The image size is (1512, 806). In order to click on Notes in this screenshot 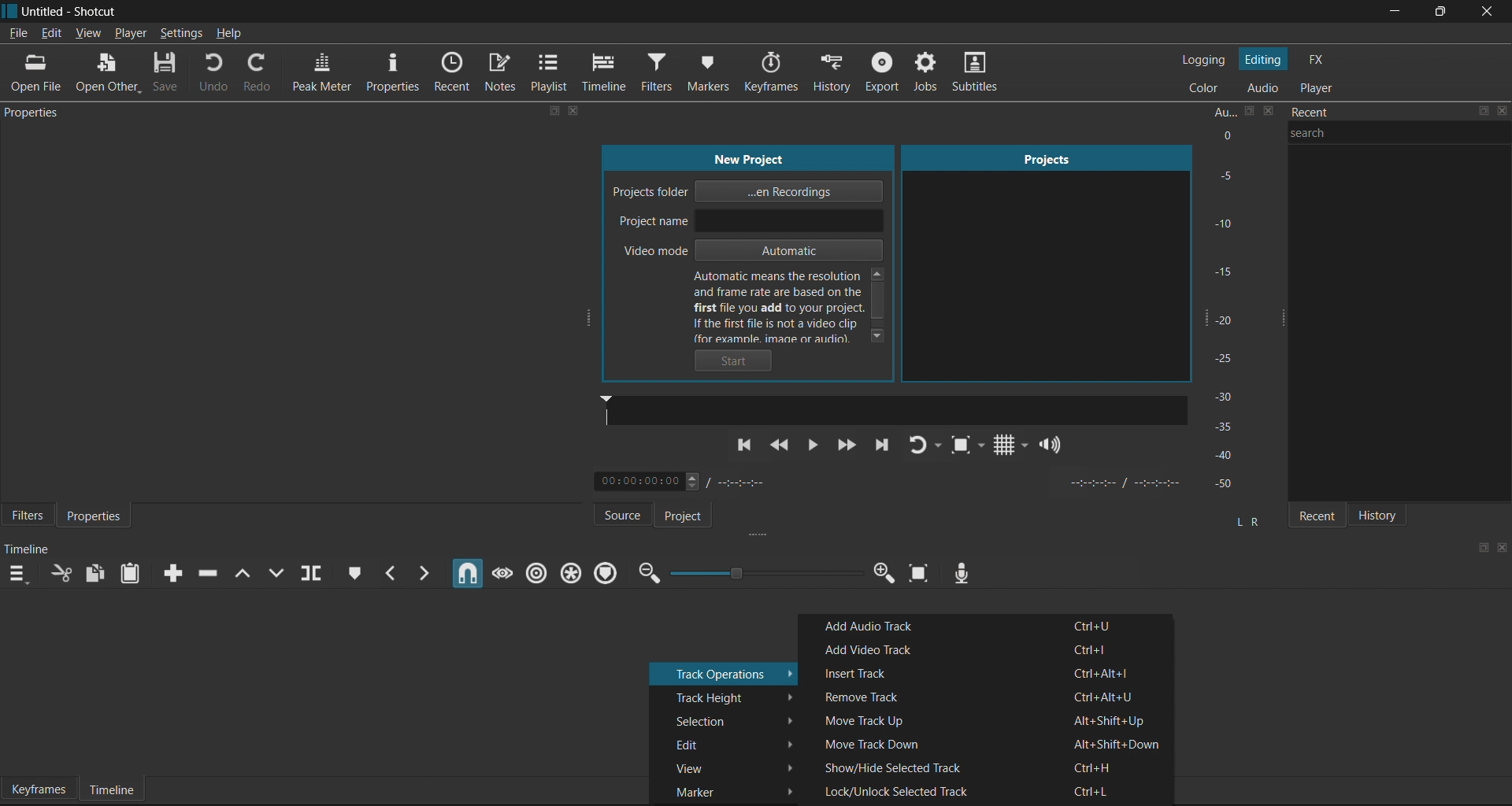, I will do `click(502, 75)`.